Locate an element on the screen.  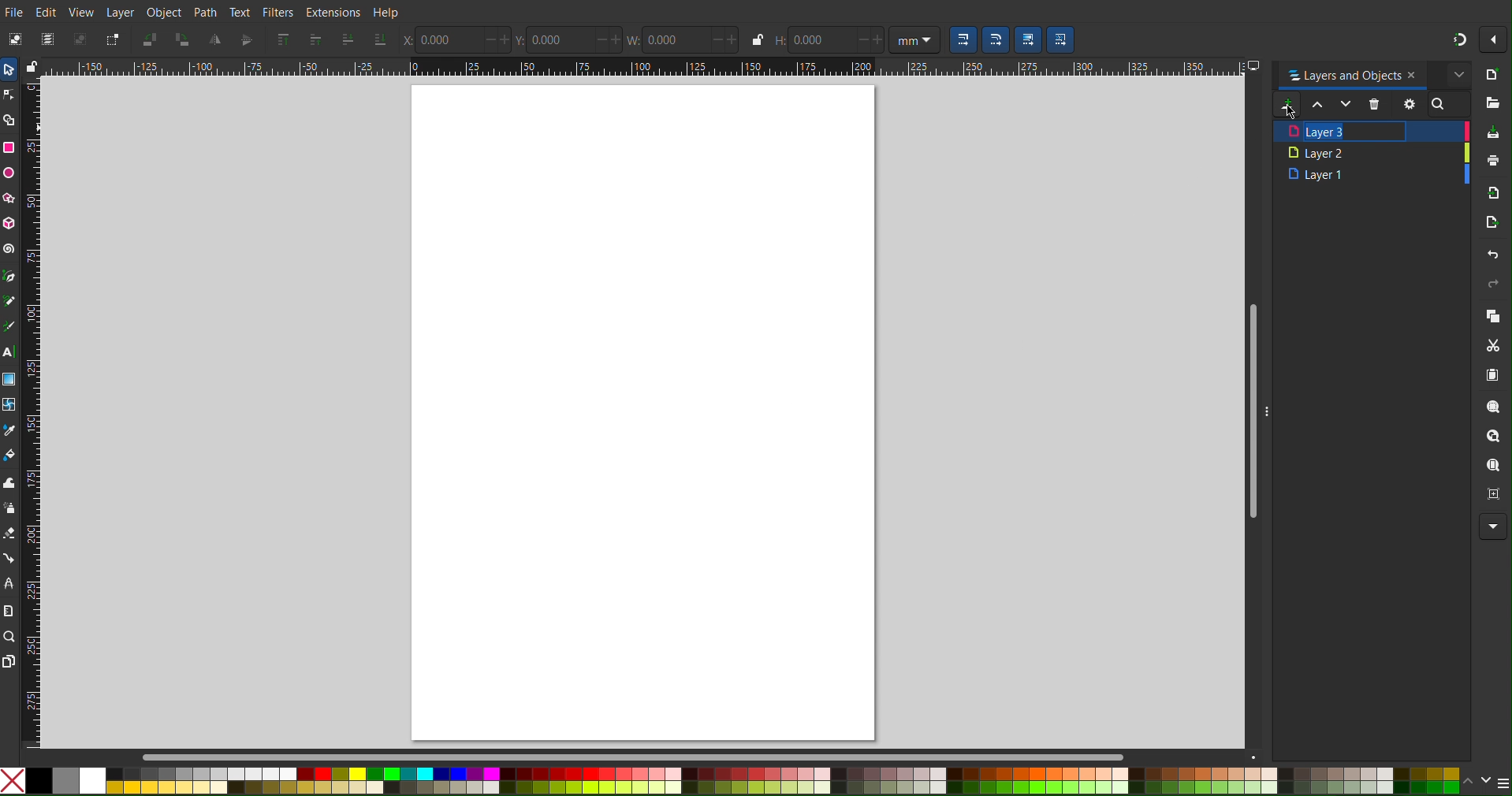
Toggle Selection Box is located at coordinates (113, 39).